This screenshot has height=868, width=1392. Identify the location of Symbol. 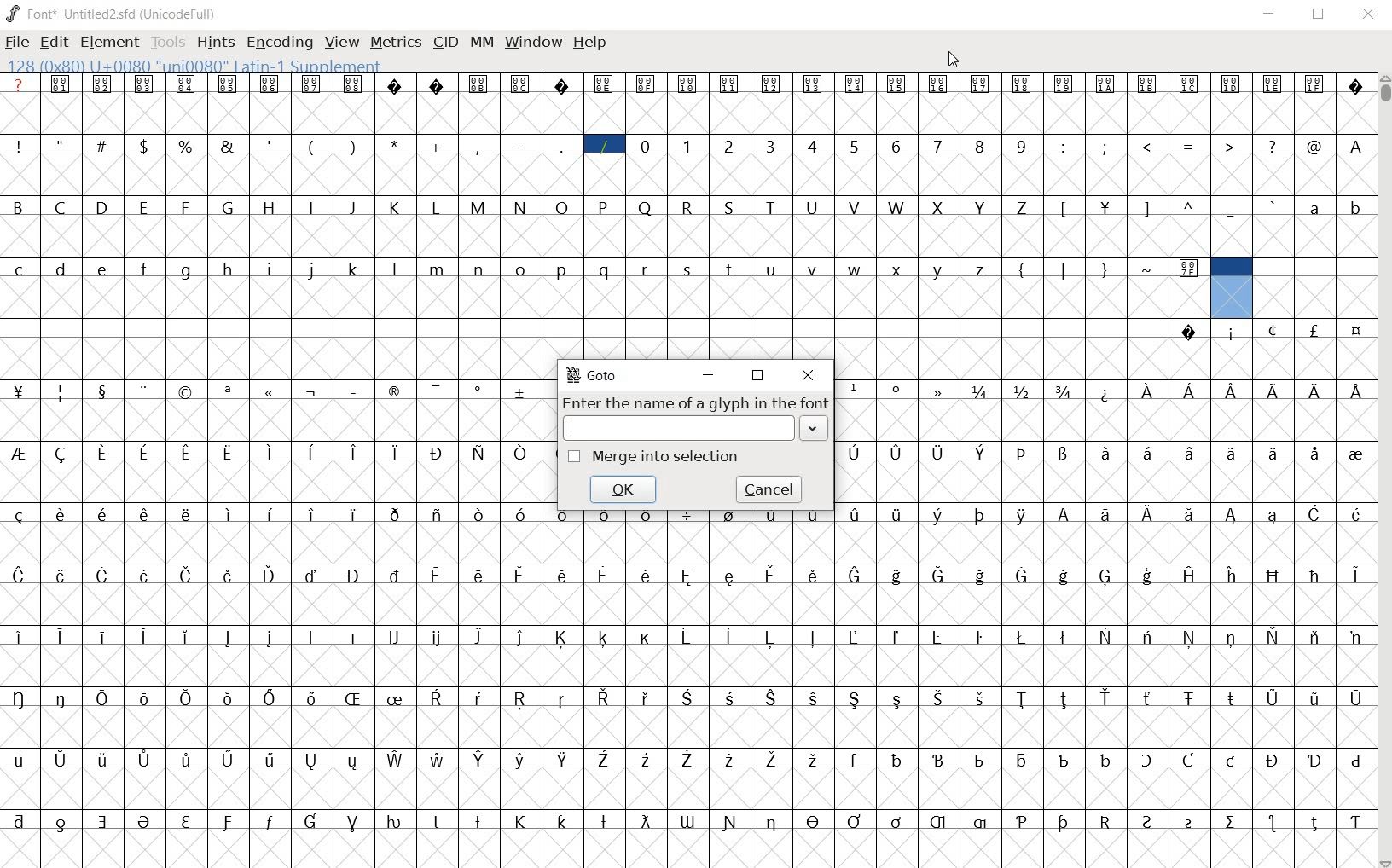
(1149, 820).